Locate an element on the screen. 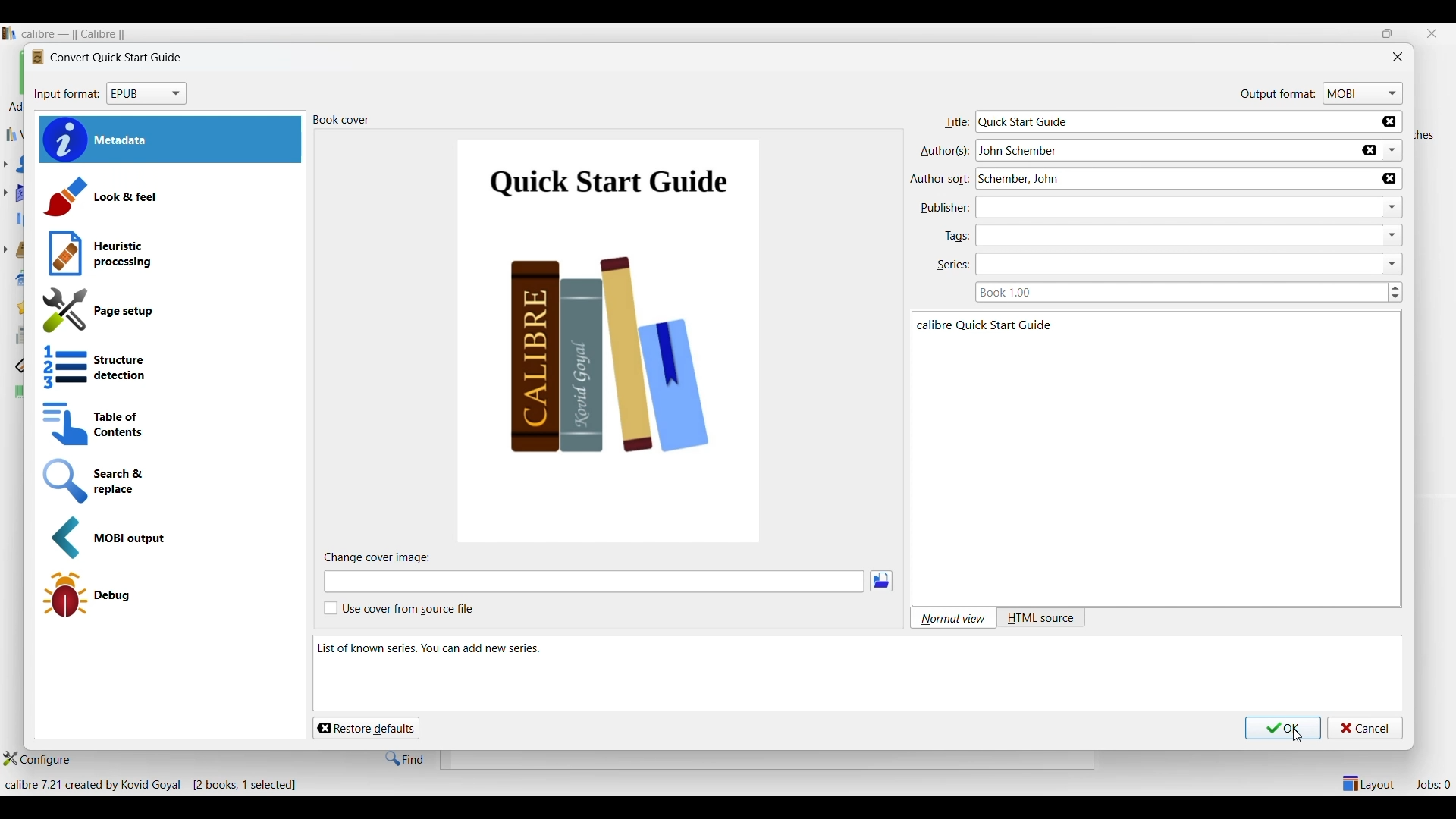 Image resolution: width=1456 pixels, height=819 pixels. Close window is located at coordinates (1398, 56).